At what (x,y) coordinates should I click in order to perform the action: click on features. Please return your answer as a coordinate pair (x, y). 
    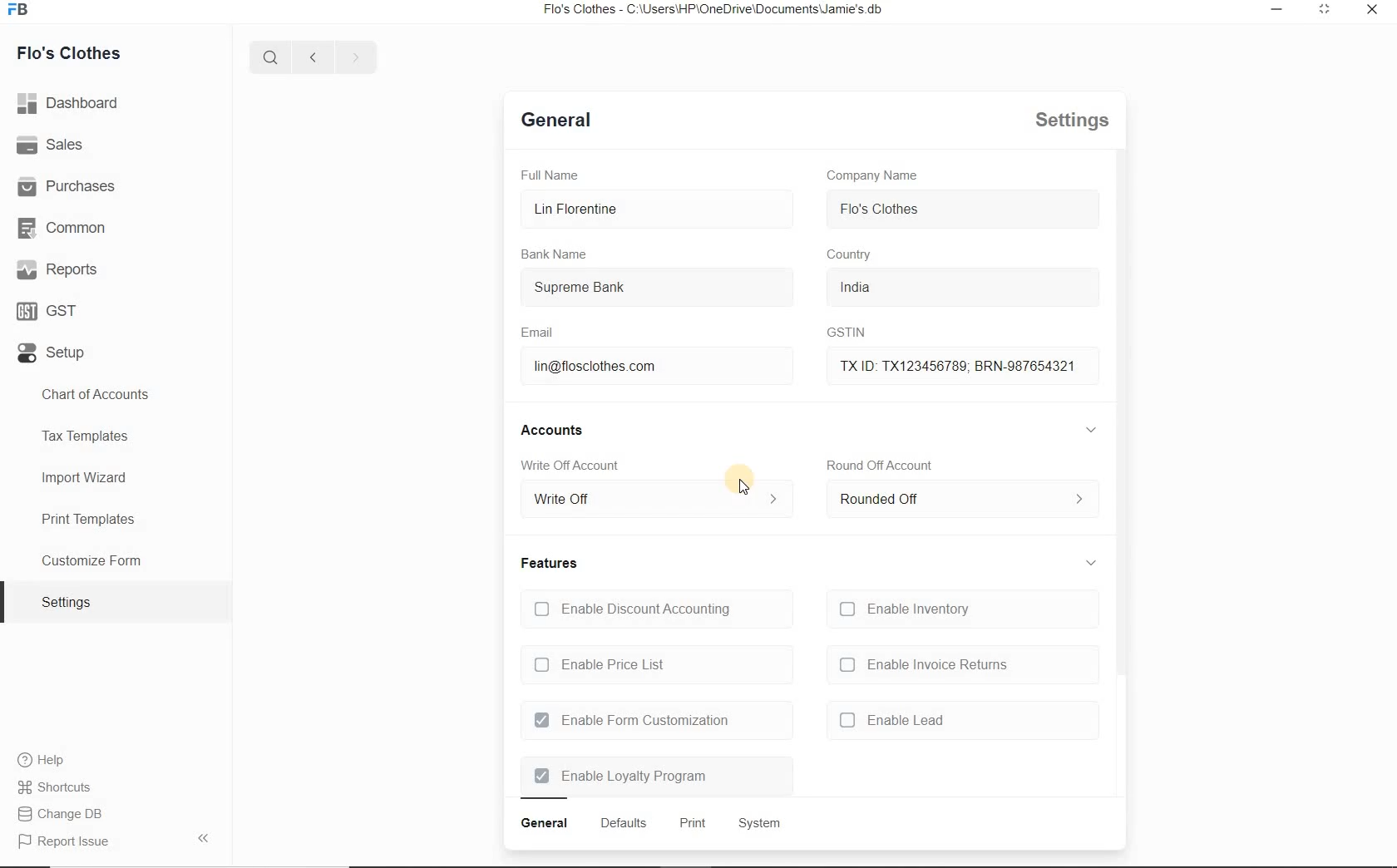
    Looking at the image, I should click on (550, 563).